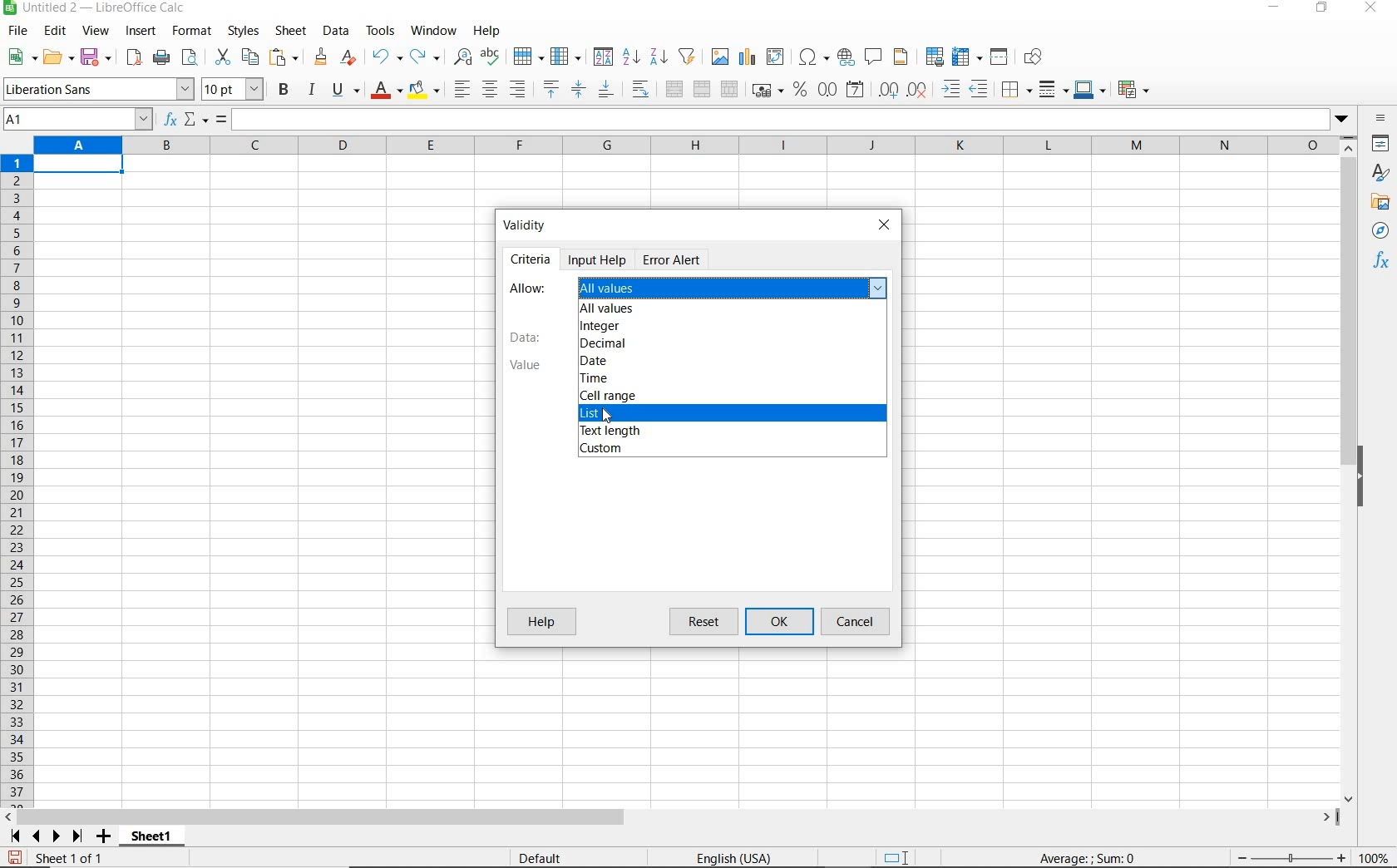  Describe the element at coordinates (382, 31) in the screenshot. I see `tools` at that location.